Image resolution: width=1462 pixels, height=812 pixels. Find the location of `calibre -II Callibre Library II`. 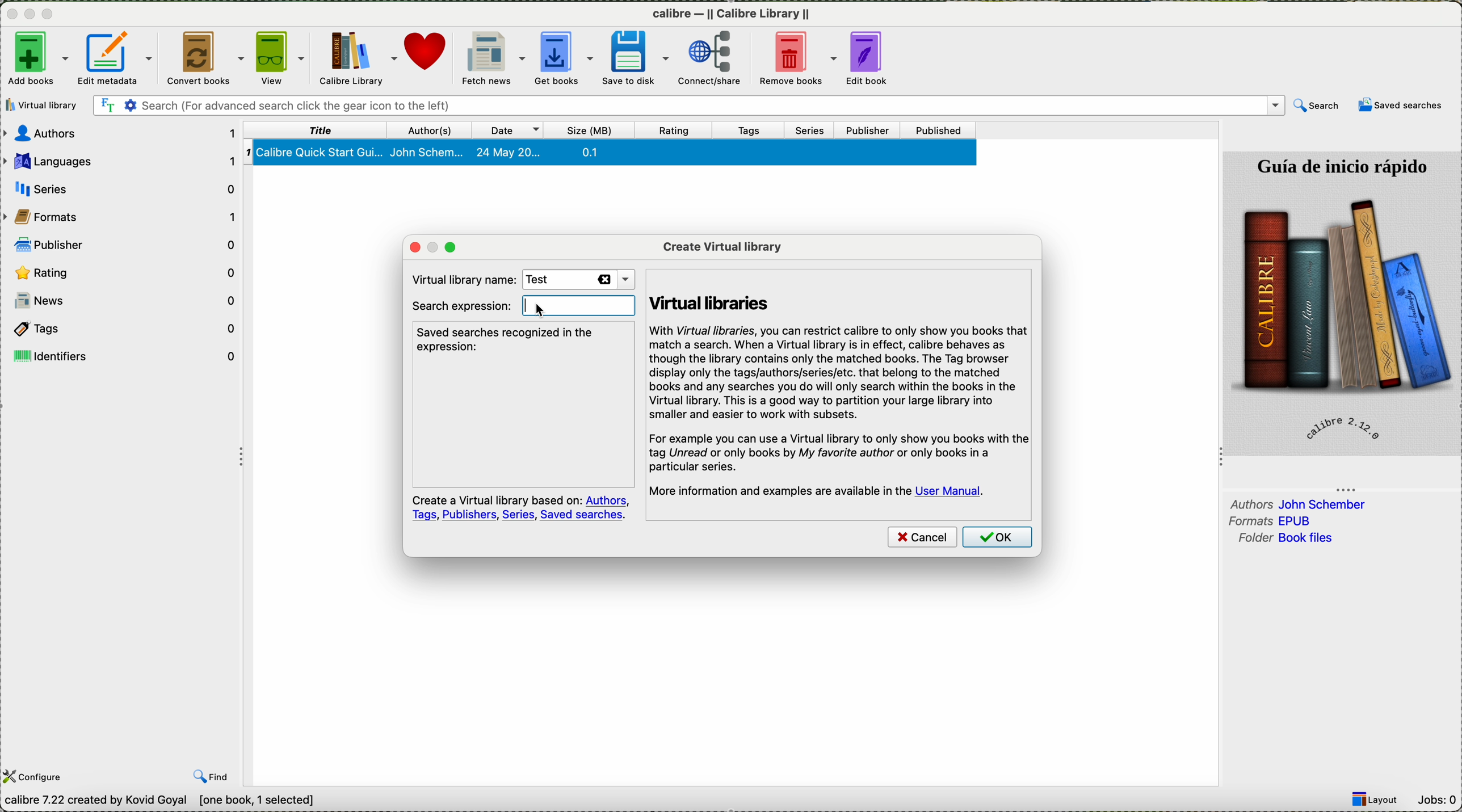

calibre -II Callibre Library II is located at coordinates (732, 16).